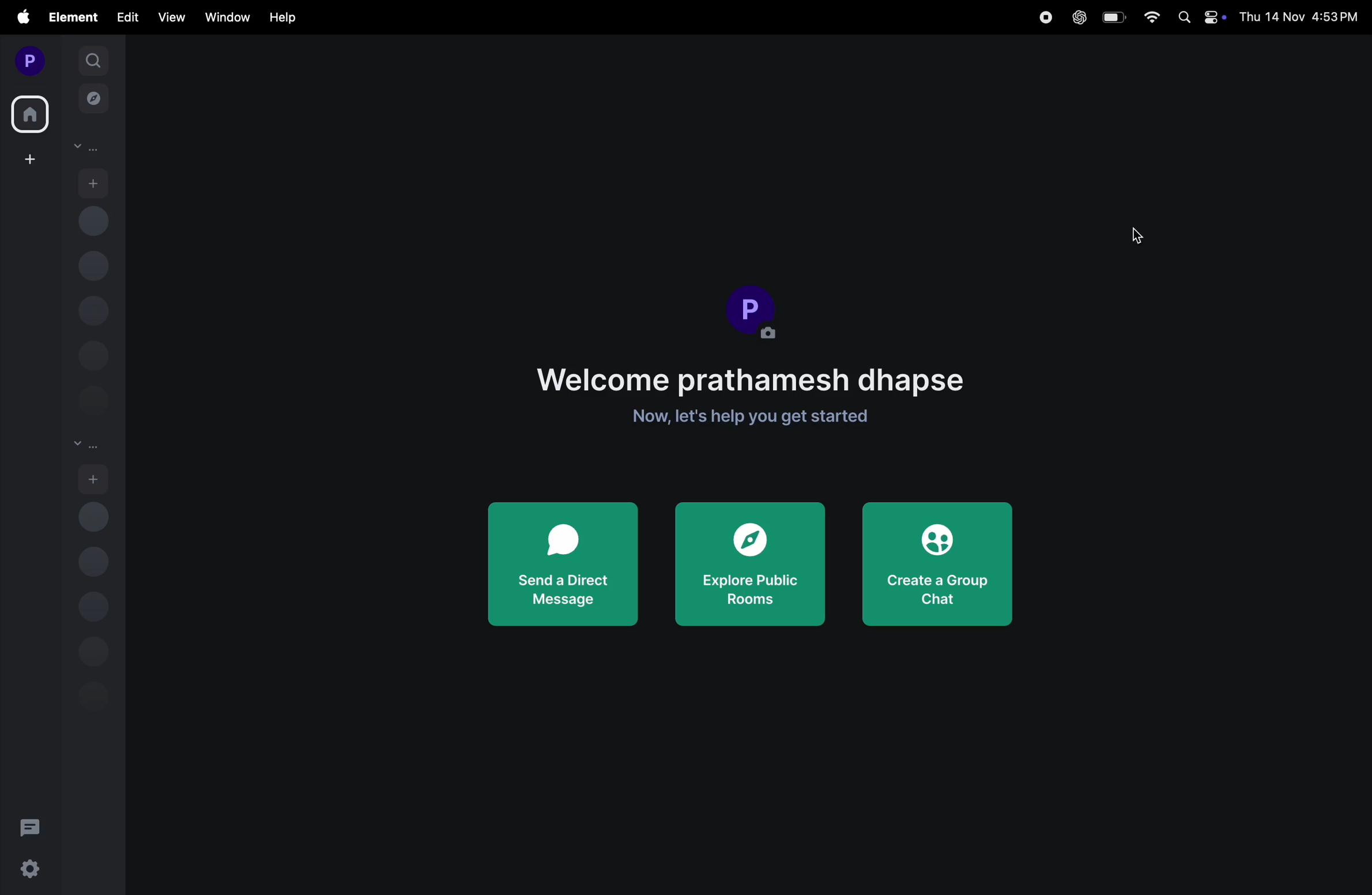 The width and height of the screenshot is (1372, 895). Describe the element at coordinates (561, 565) in the screenshot. I see `send direct message` at that location.